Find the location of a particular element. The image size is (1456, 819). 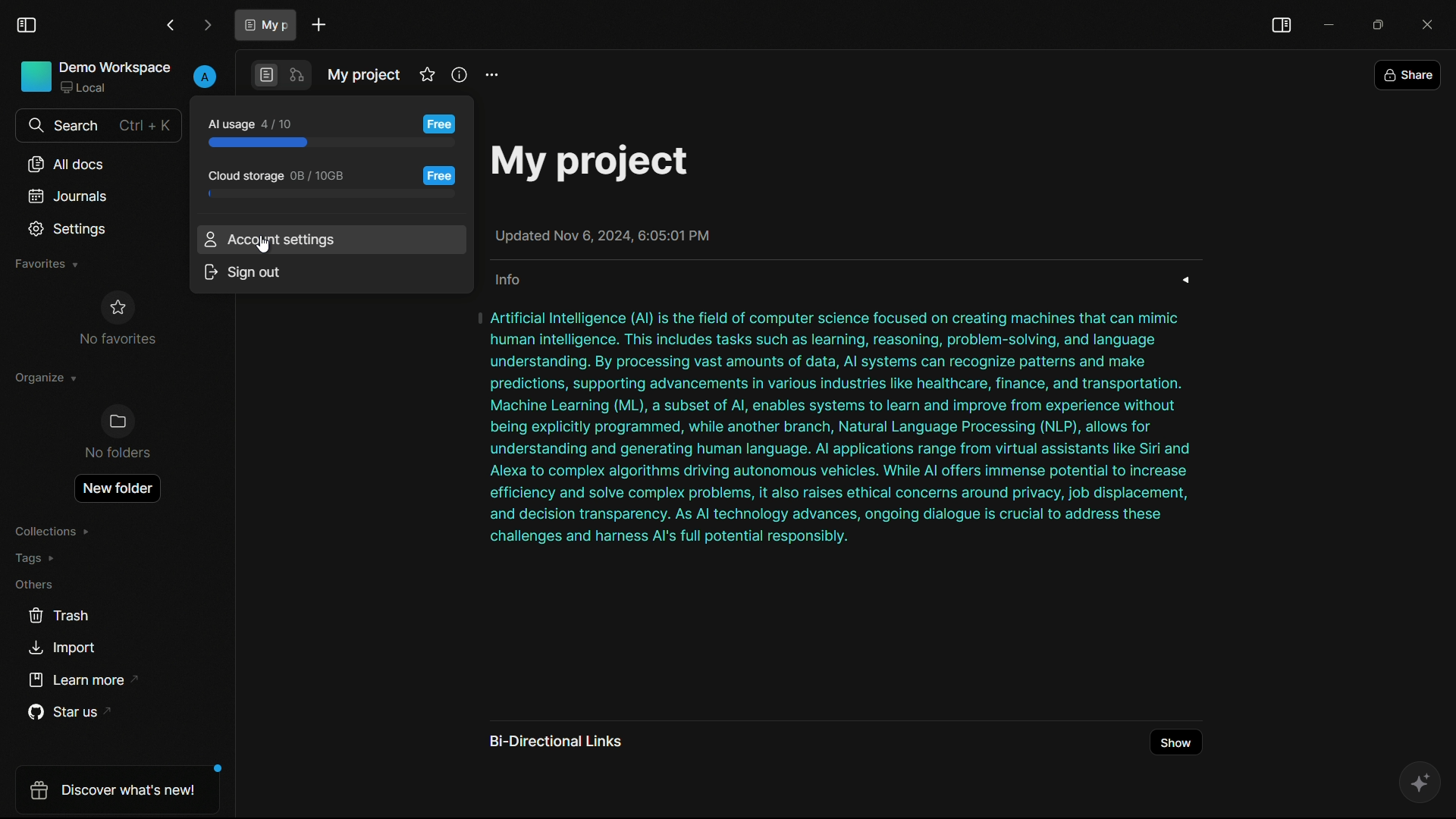

info is located at coordinates (507, 278).